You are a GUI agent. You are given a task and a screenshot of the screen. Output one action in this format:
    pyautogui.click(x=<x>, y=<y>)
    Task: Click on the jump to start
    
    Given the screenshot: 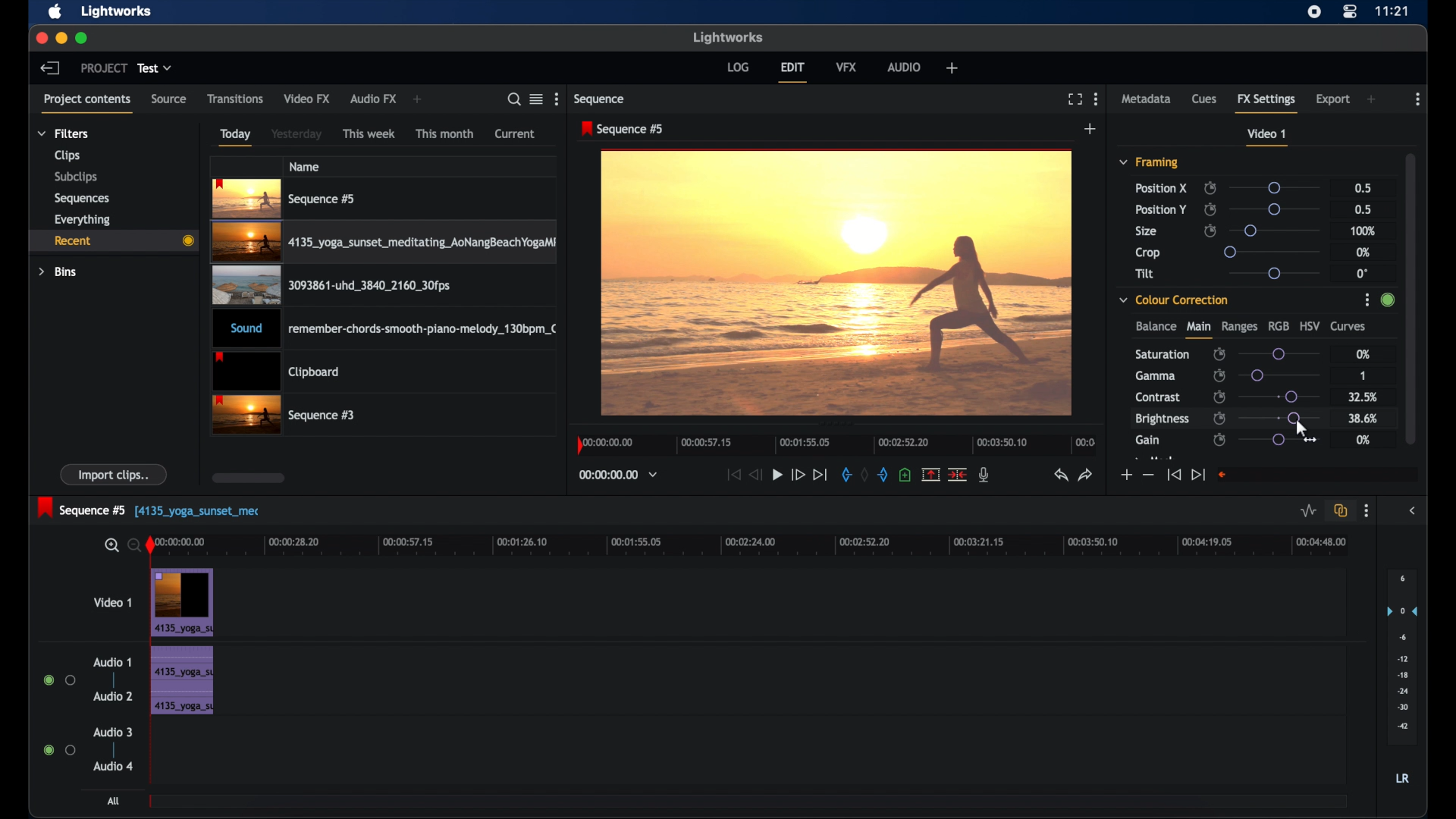 What is the action you would take?
    pyautogui.click(x=732, y=474)
    